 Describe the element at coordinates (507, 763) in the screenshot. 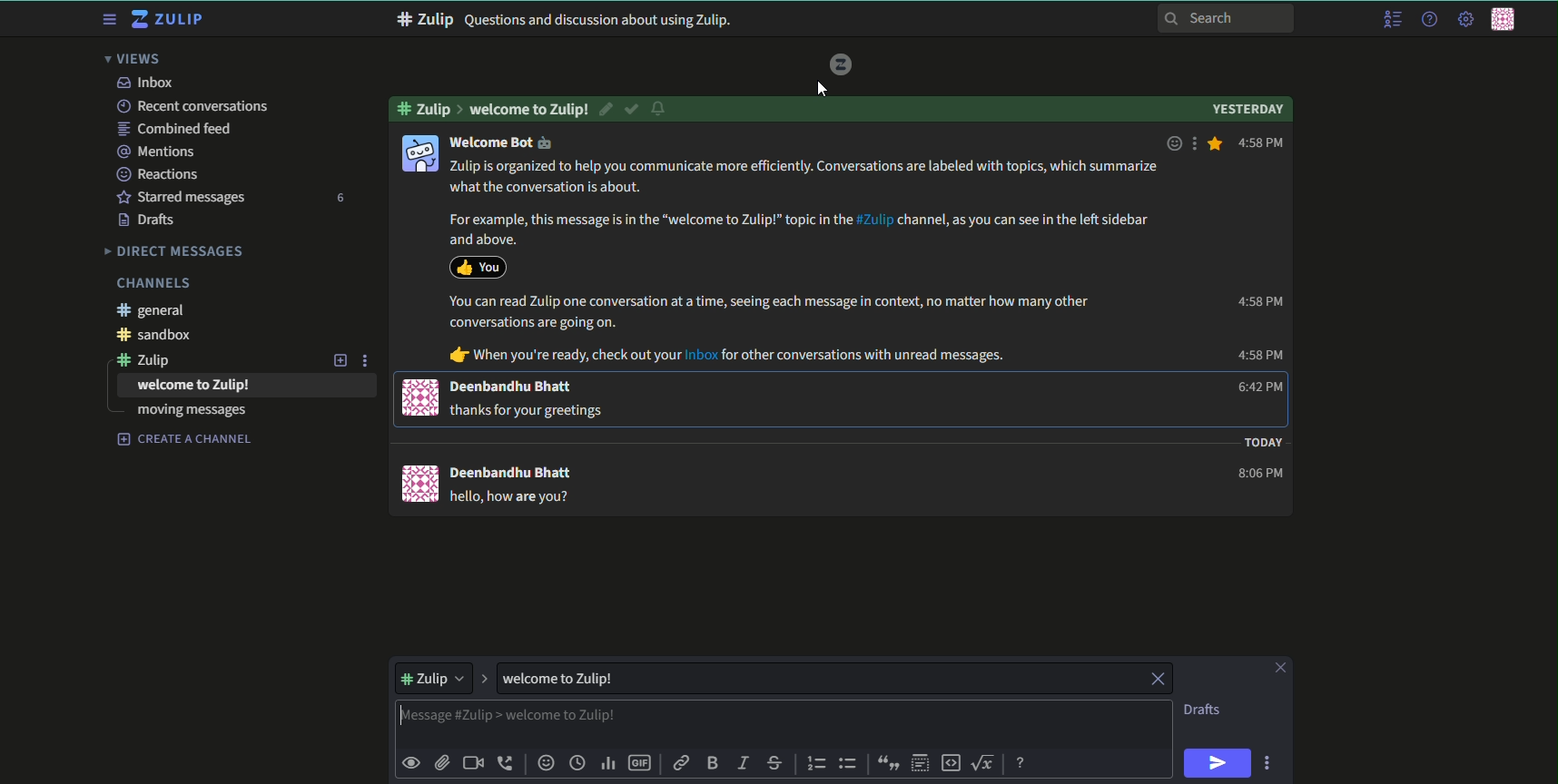

I see `add voice call` at that location.